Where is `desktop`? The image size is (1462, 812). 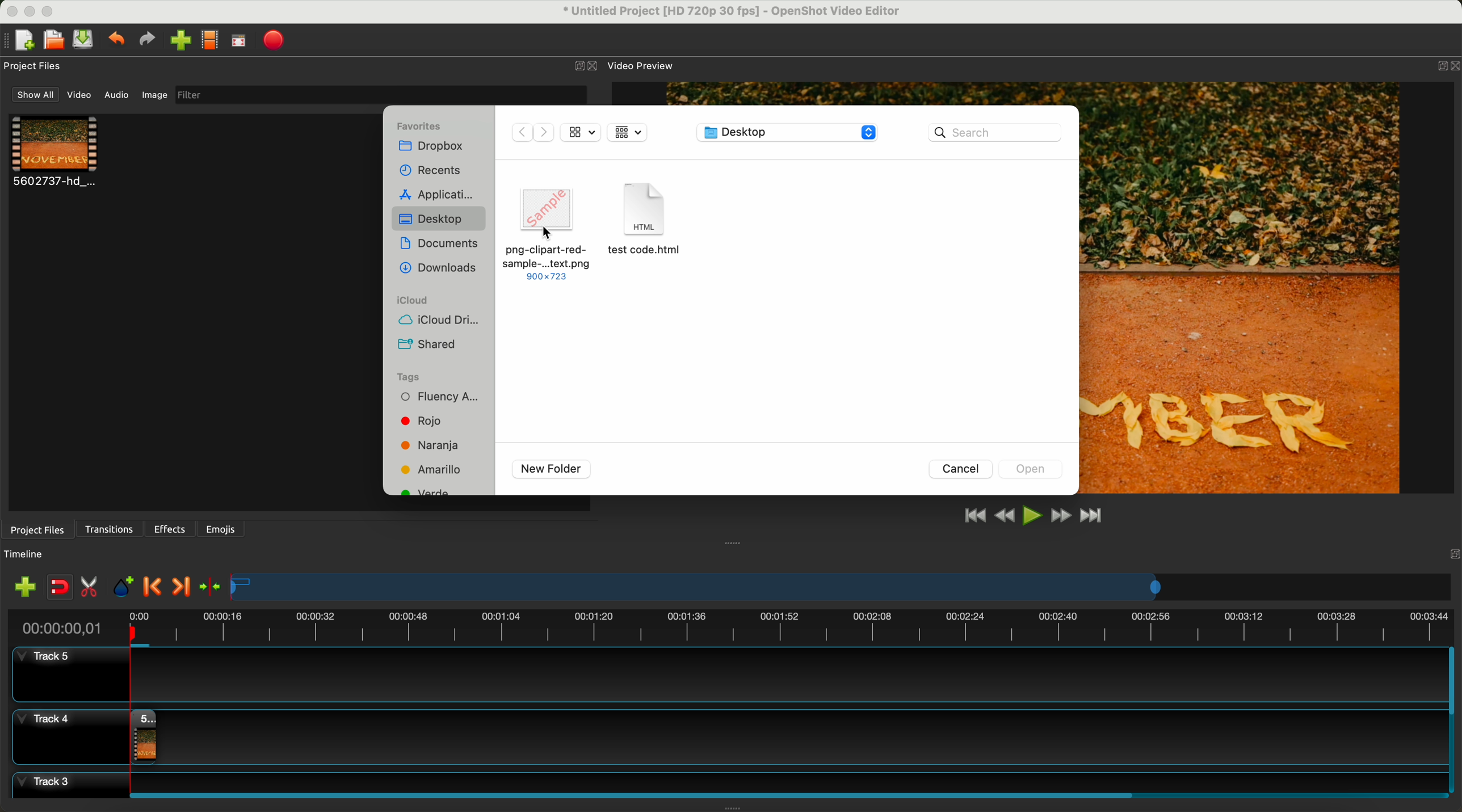 desktop is located at coordinates (439, 219).